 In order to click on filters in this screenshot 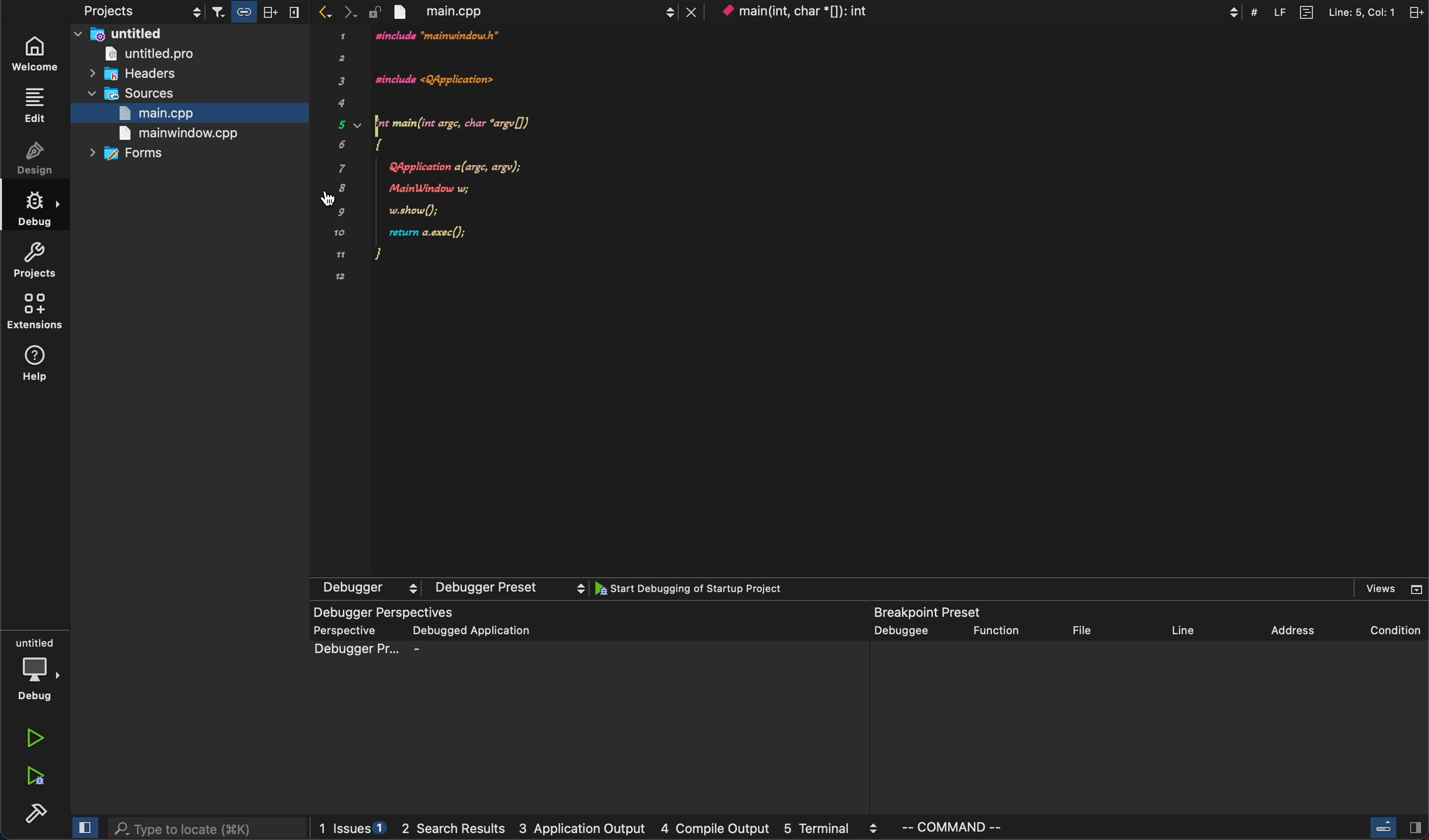, I will do `click(255, 12)`.